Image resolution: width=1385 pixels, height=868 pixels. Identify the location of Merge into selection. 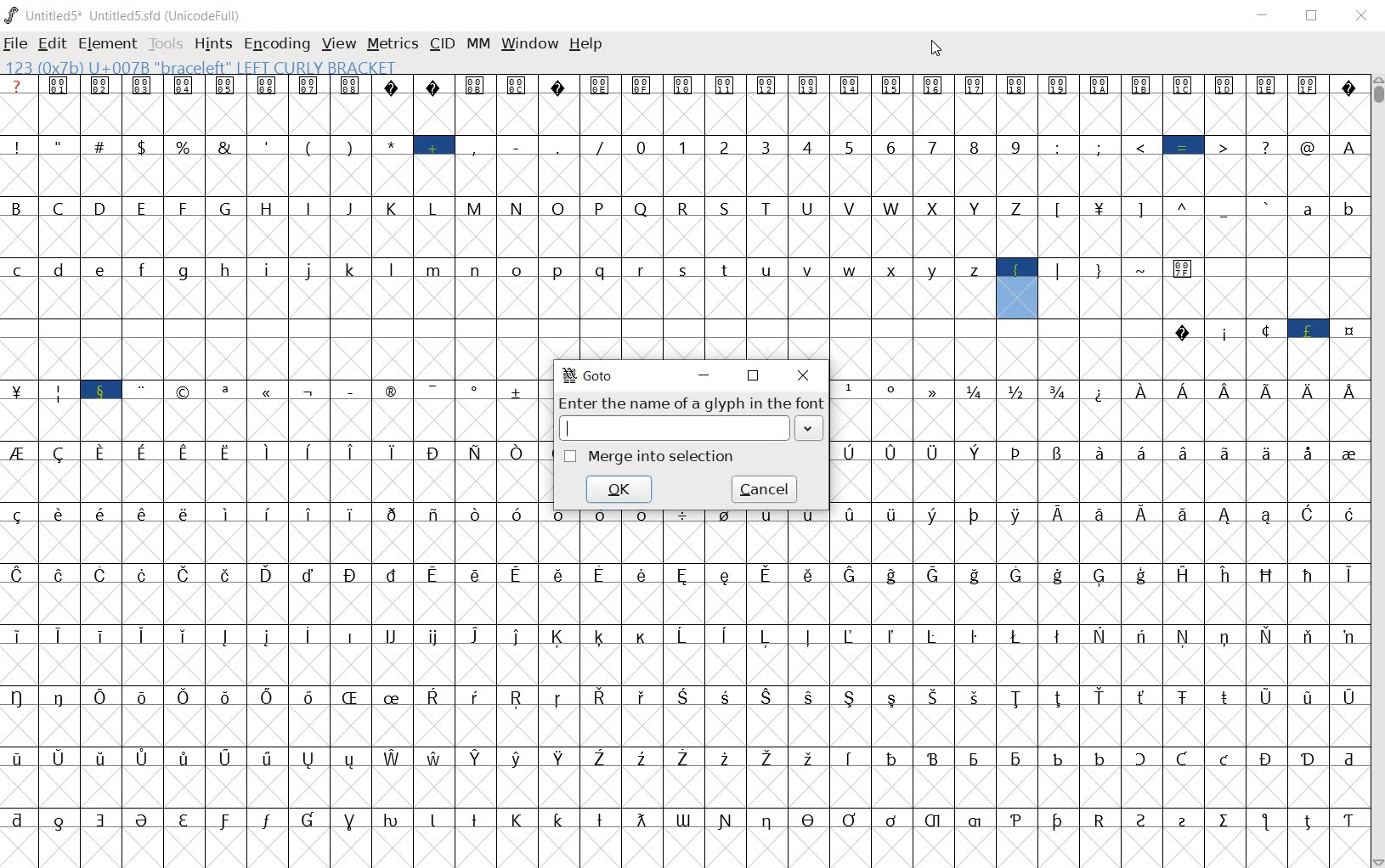
(653, 458).